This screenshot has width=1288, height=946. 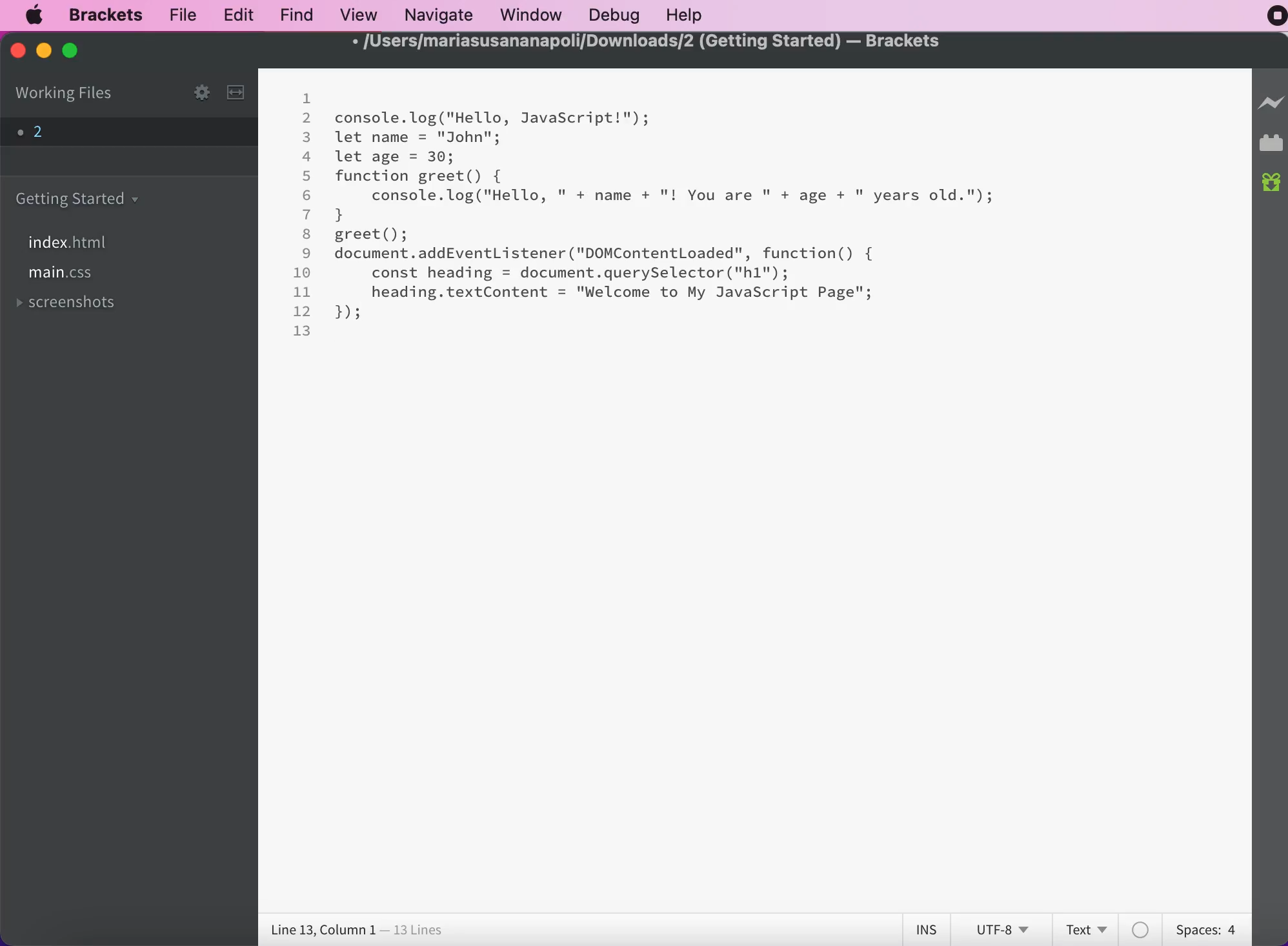 What do you see at coordinates (307, 254) in the screenshot?
I see `9` at bounding box center [307, 254].